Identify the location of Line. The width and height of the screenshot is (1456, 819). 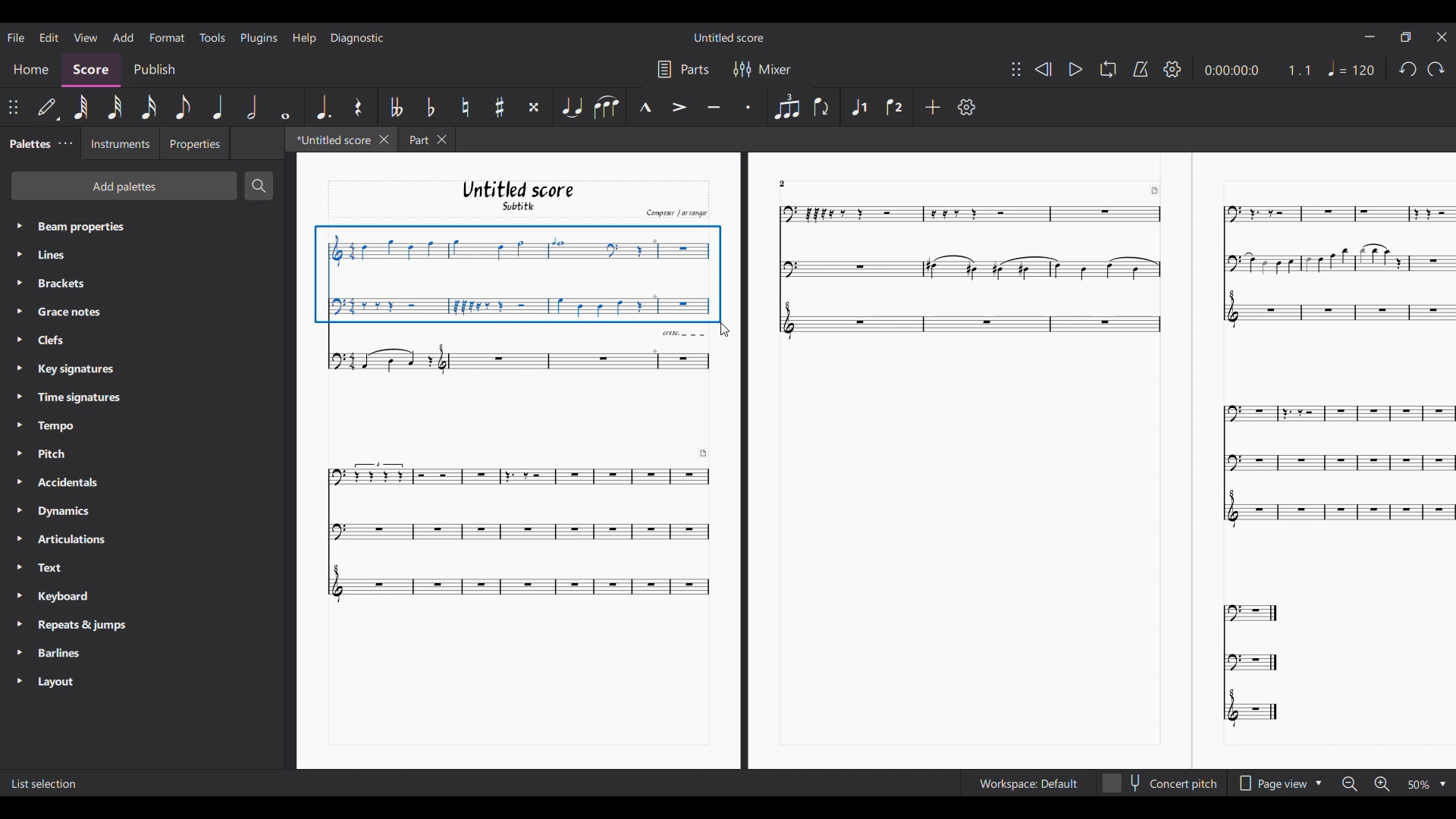
(65, 255).